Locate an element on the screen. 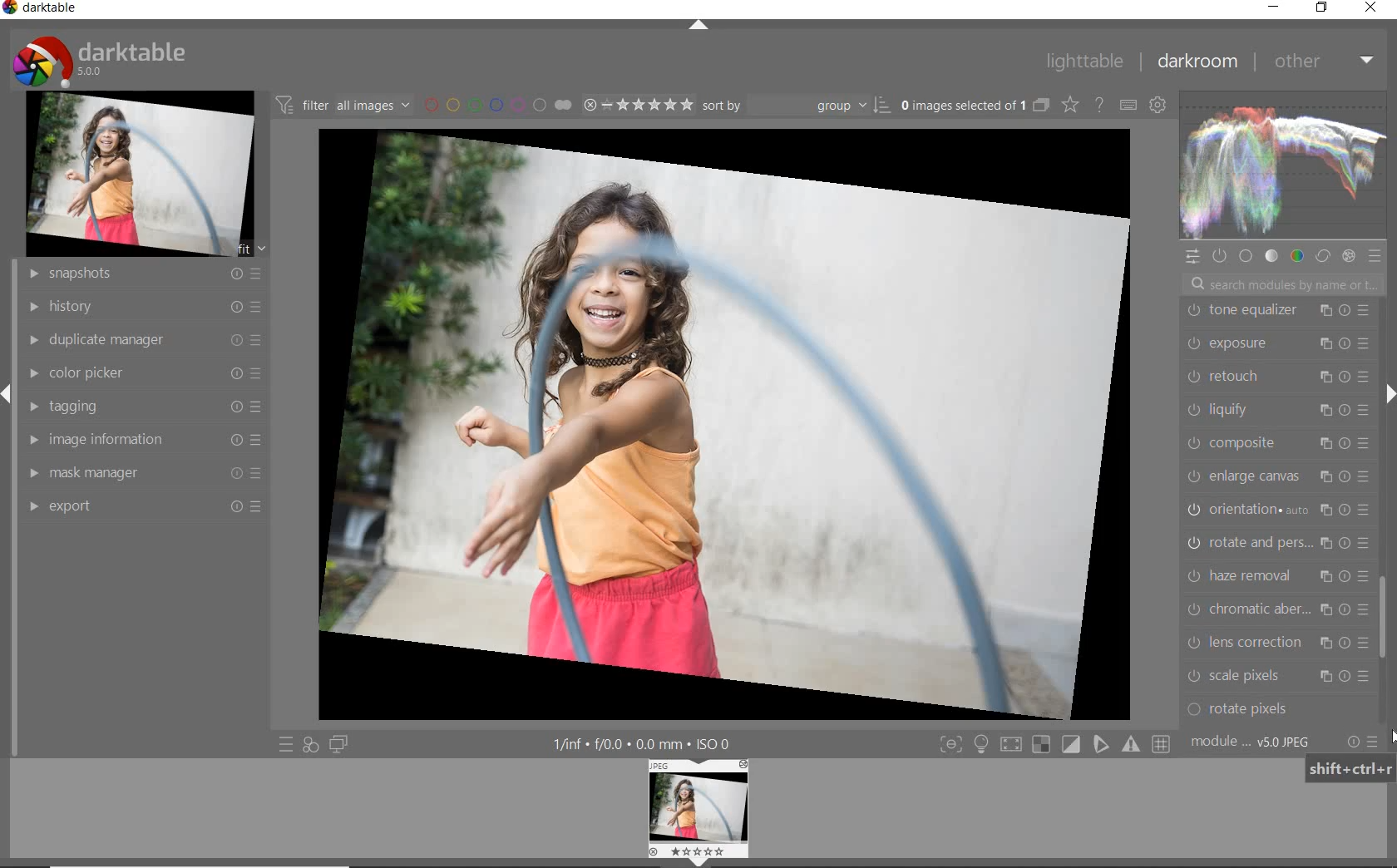  toggle mode is located at coordinates (1054, 744).